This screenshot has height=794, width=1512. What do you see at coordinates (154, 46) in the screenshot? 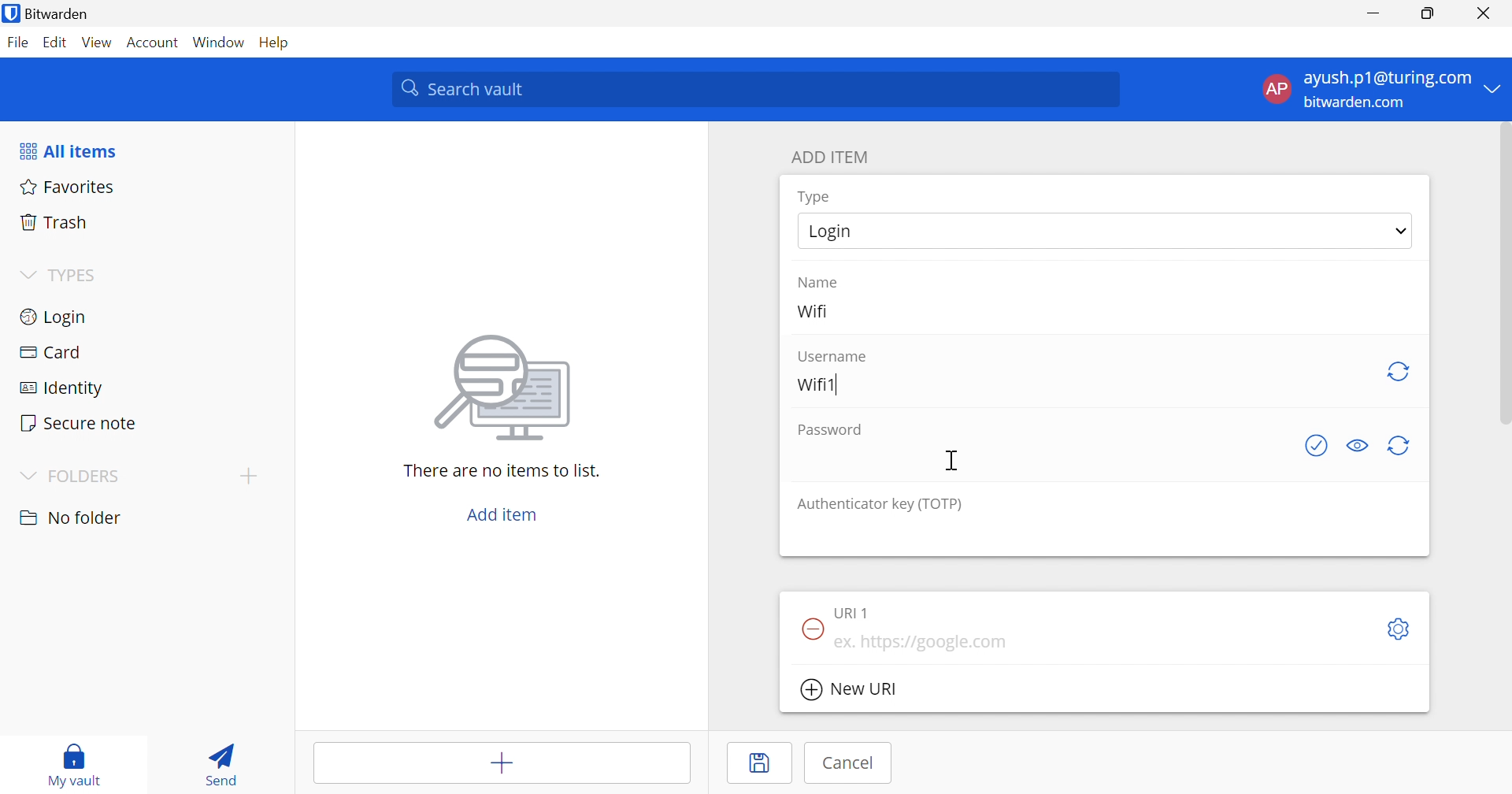
I see `Account` at bounding box center [154, 46].